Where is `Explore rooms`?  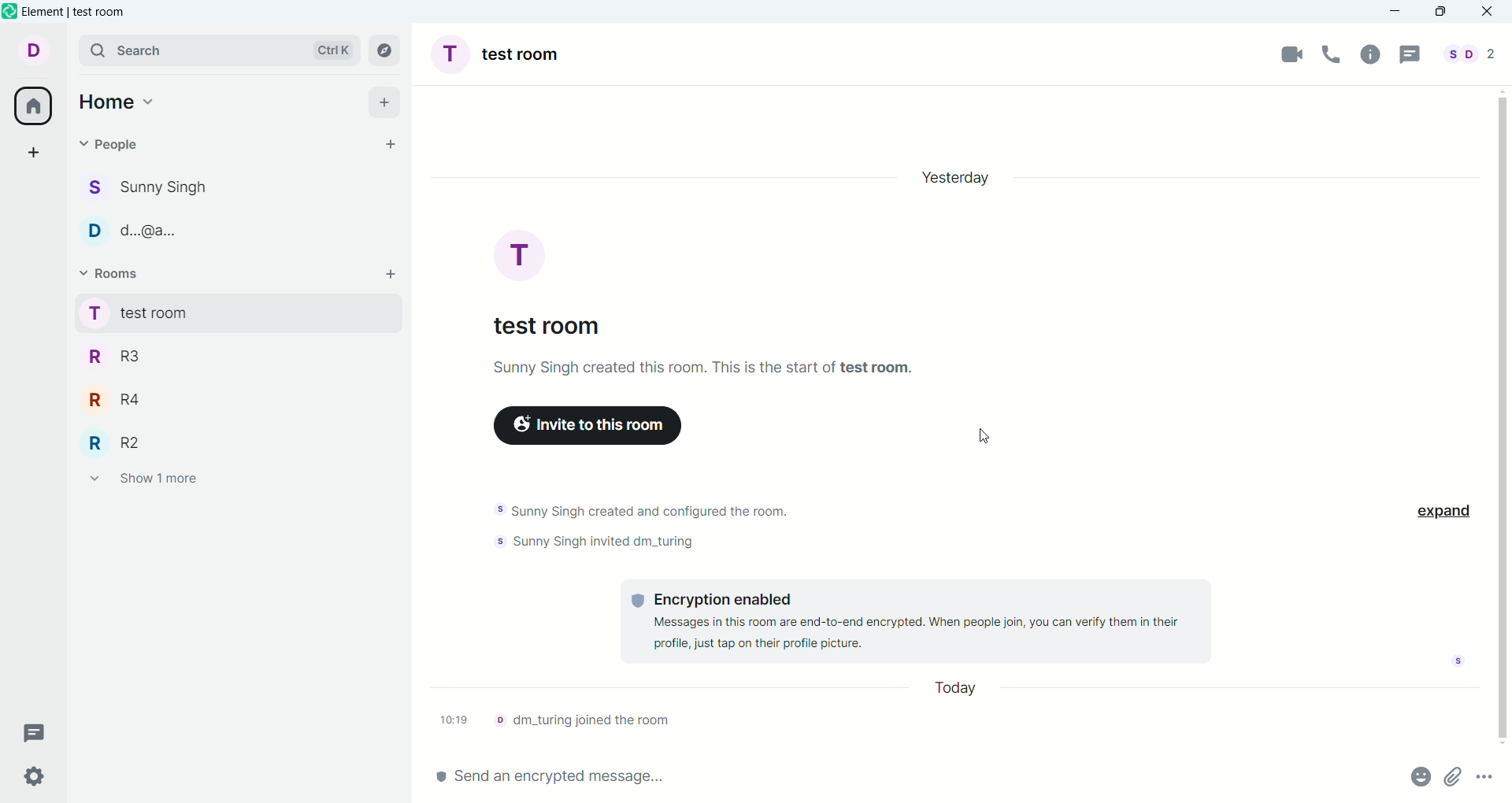 Explore rooms is located at coordinates (386, 50).